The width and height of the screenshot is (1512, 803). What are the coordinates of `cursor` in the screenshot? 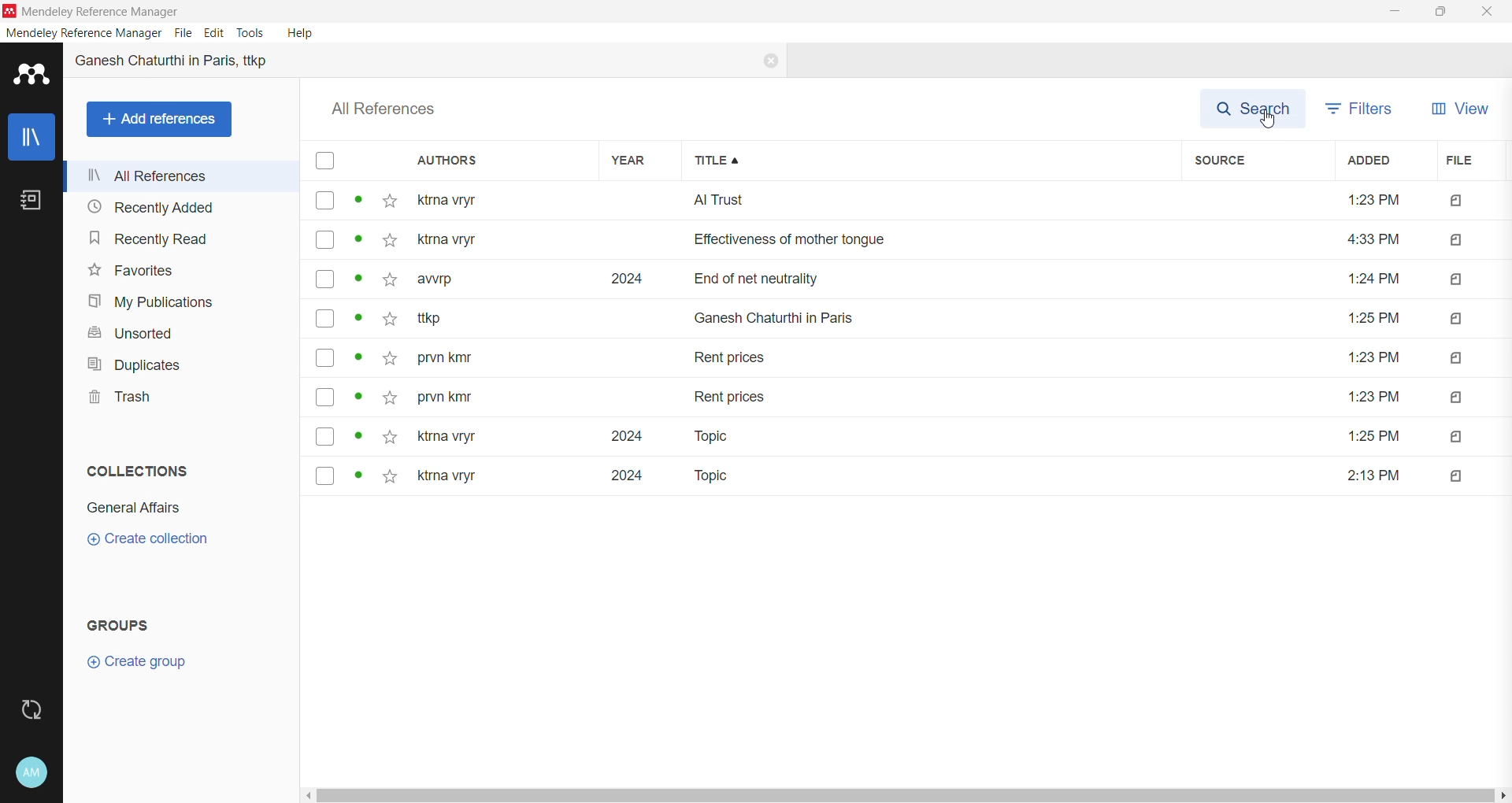 It's located at (1268, 121).